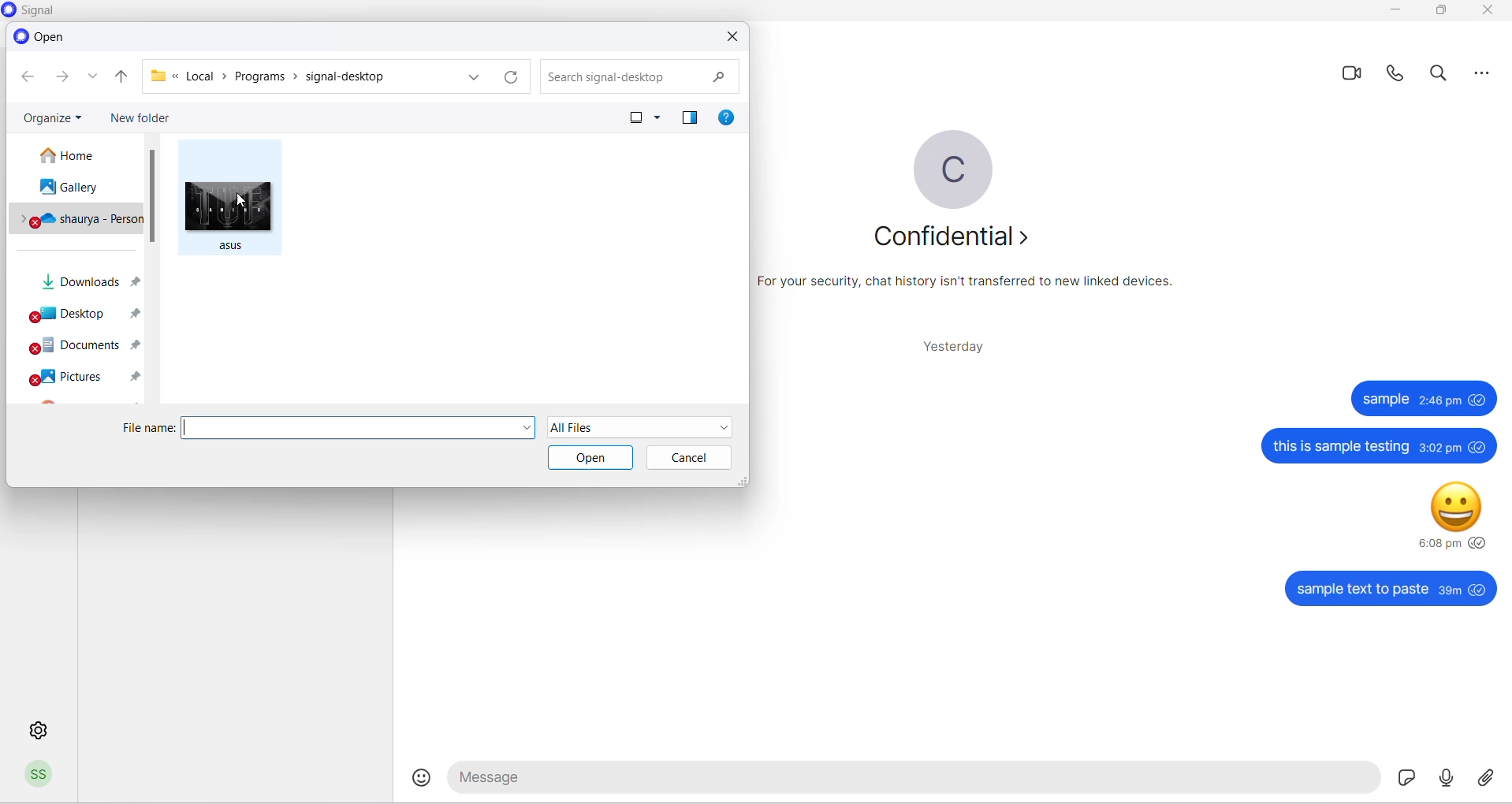 This screenshot has width=1512, height=804. I want to click on scrollbar, so click(154, 196).